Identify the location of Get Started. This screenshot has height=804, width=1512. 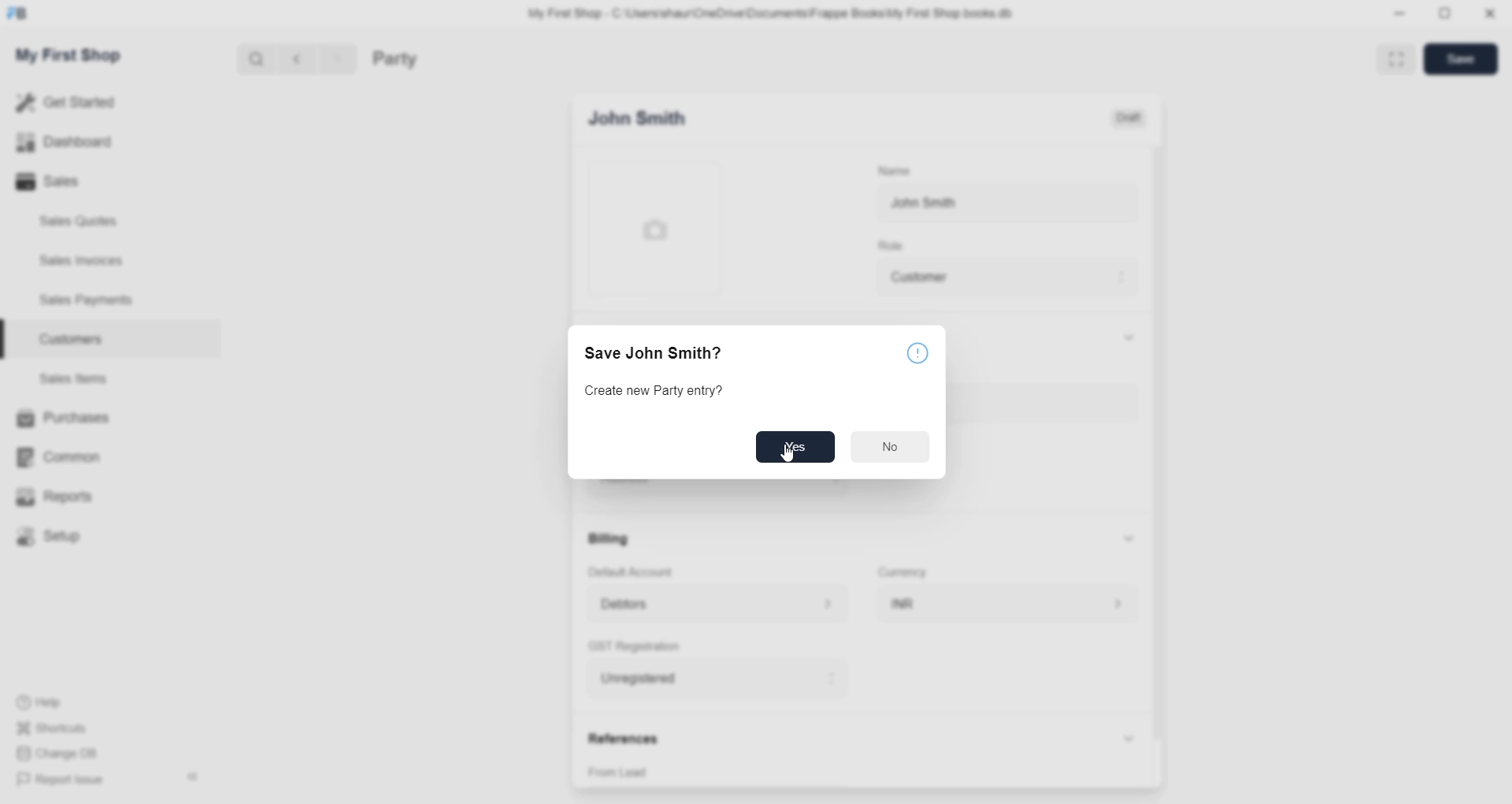
(69, 102).